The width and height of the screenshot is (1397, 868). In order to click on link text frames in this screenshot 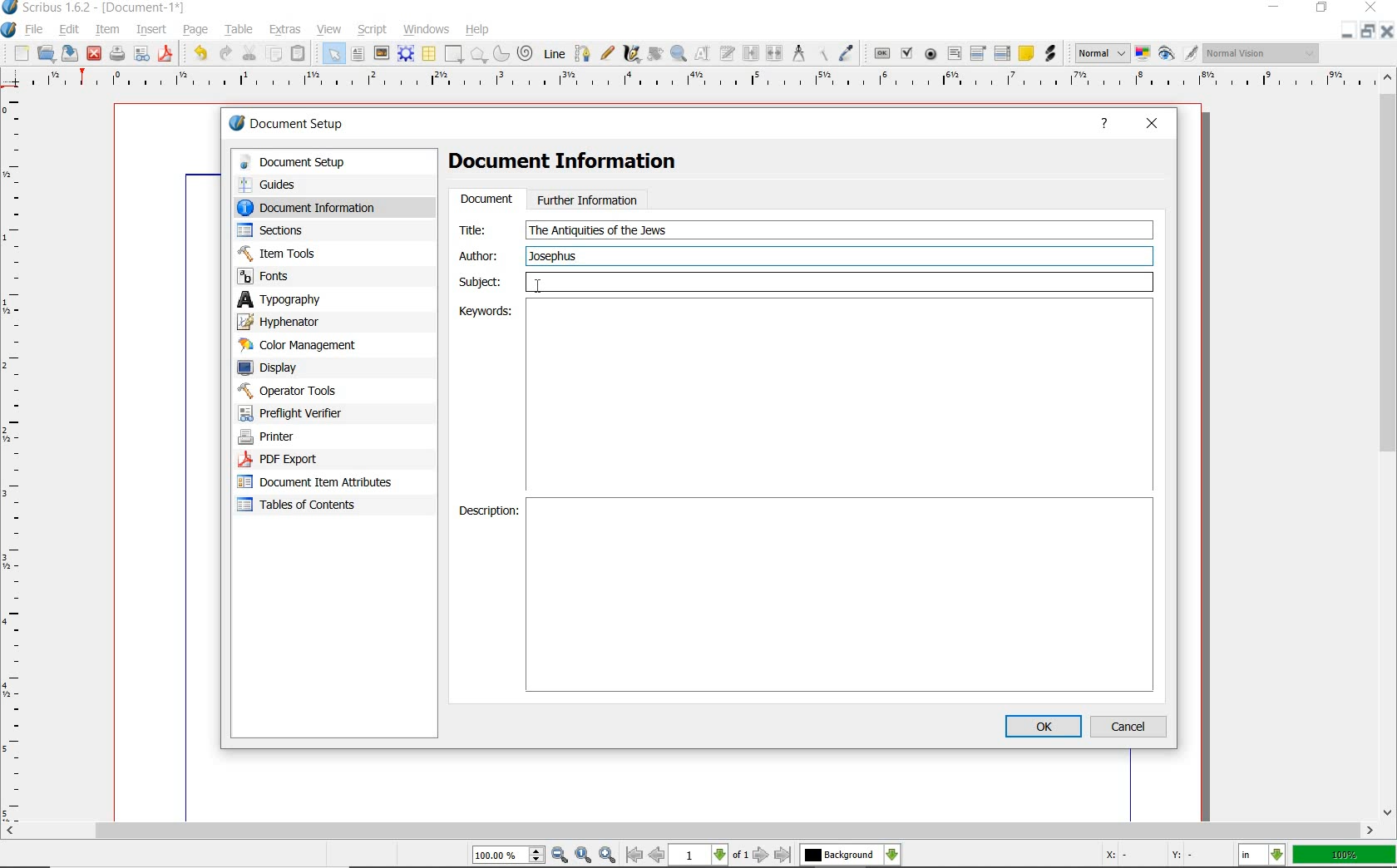, I will do `click(751, 54)`.